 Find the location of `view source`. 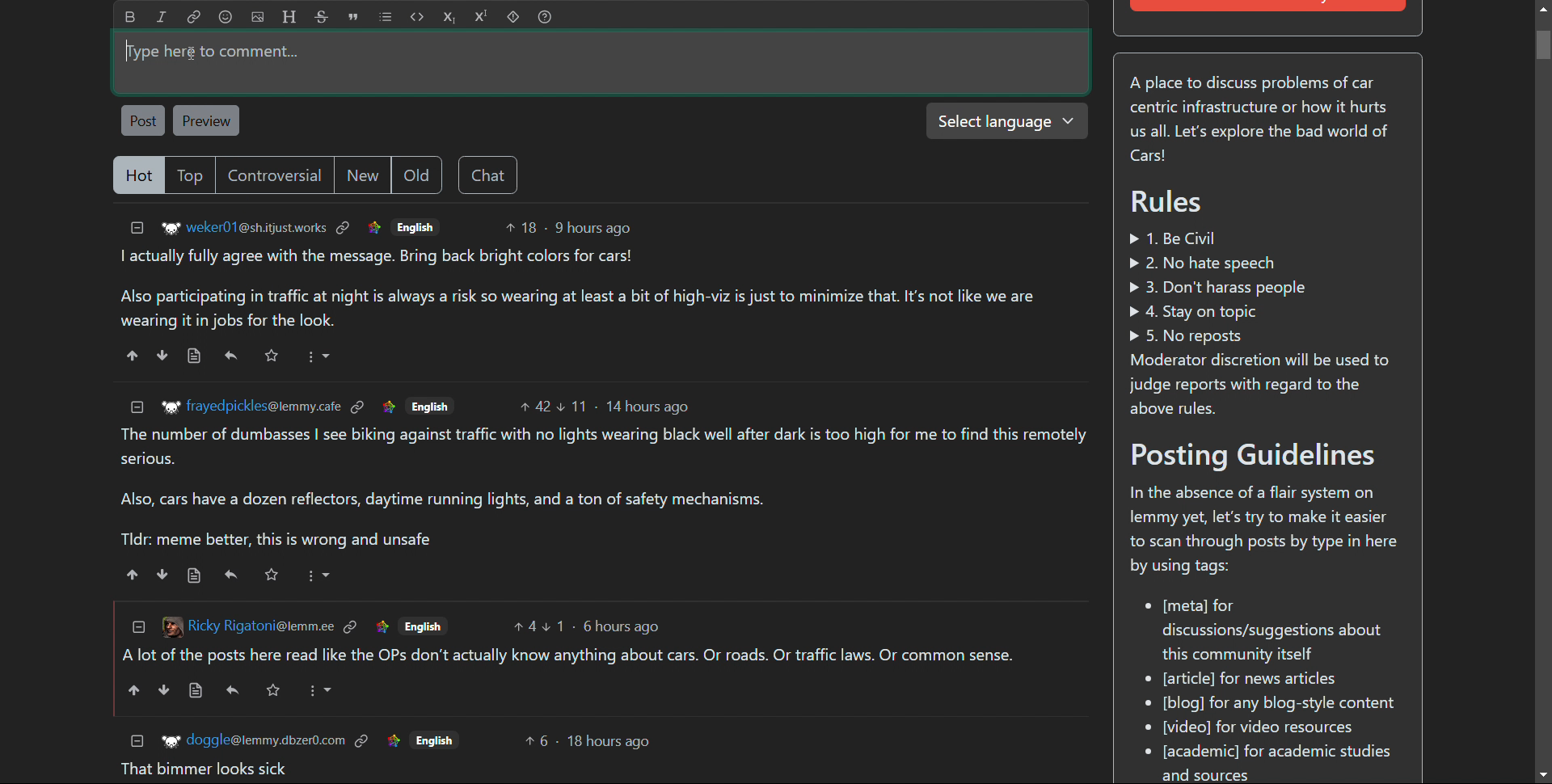

view source is located at coordinates (193, 356).